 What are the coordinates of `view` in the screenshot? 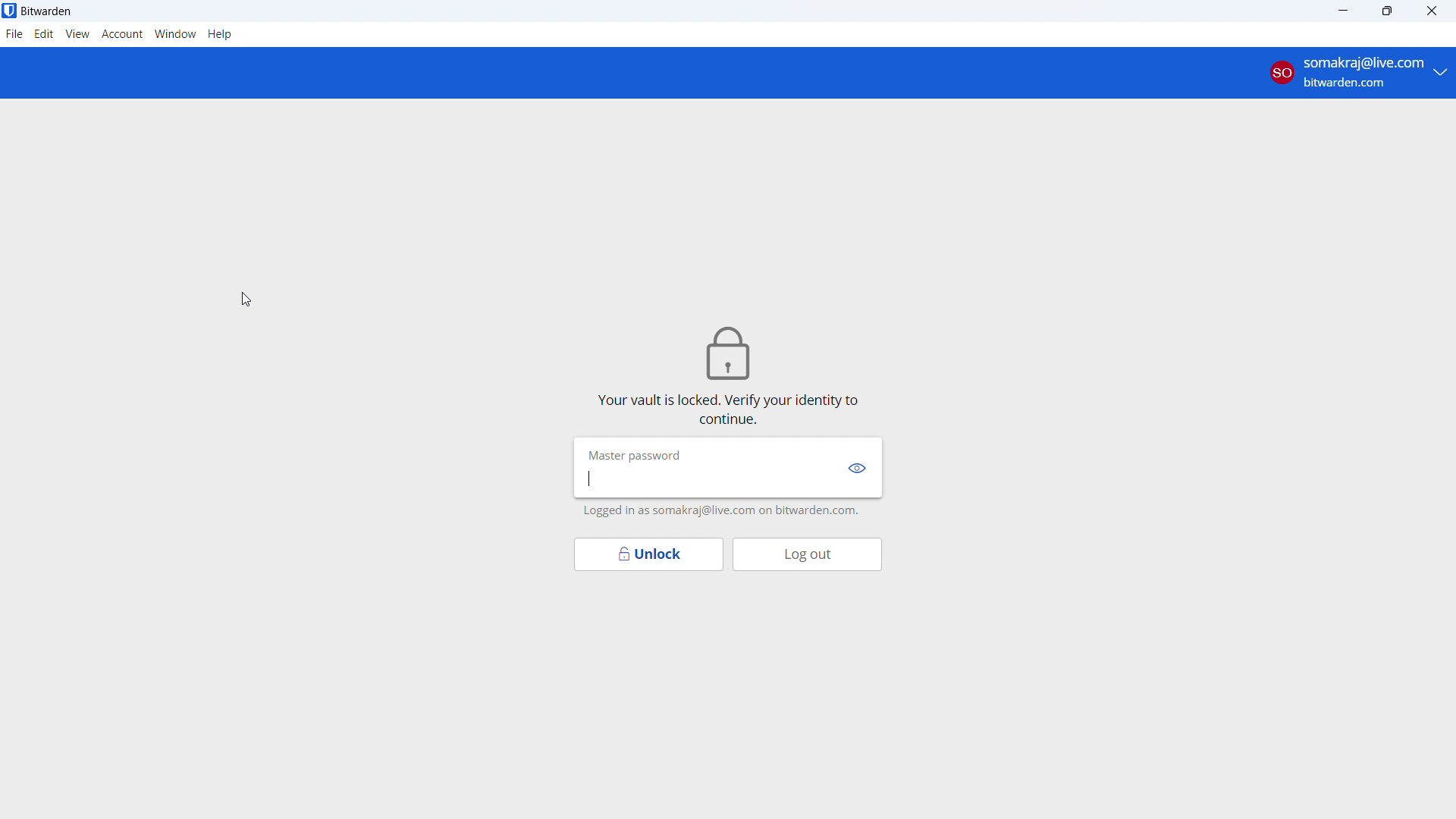 It's located at (78, 34).